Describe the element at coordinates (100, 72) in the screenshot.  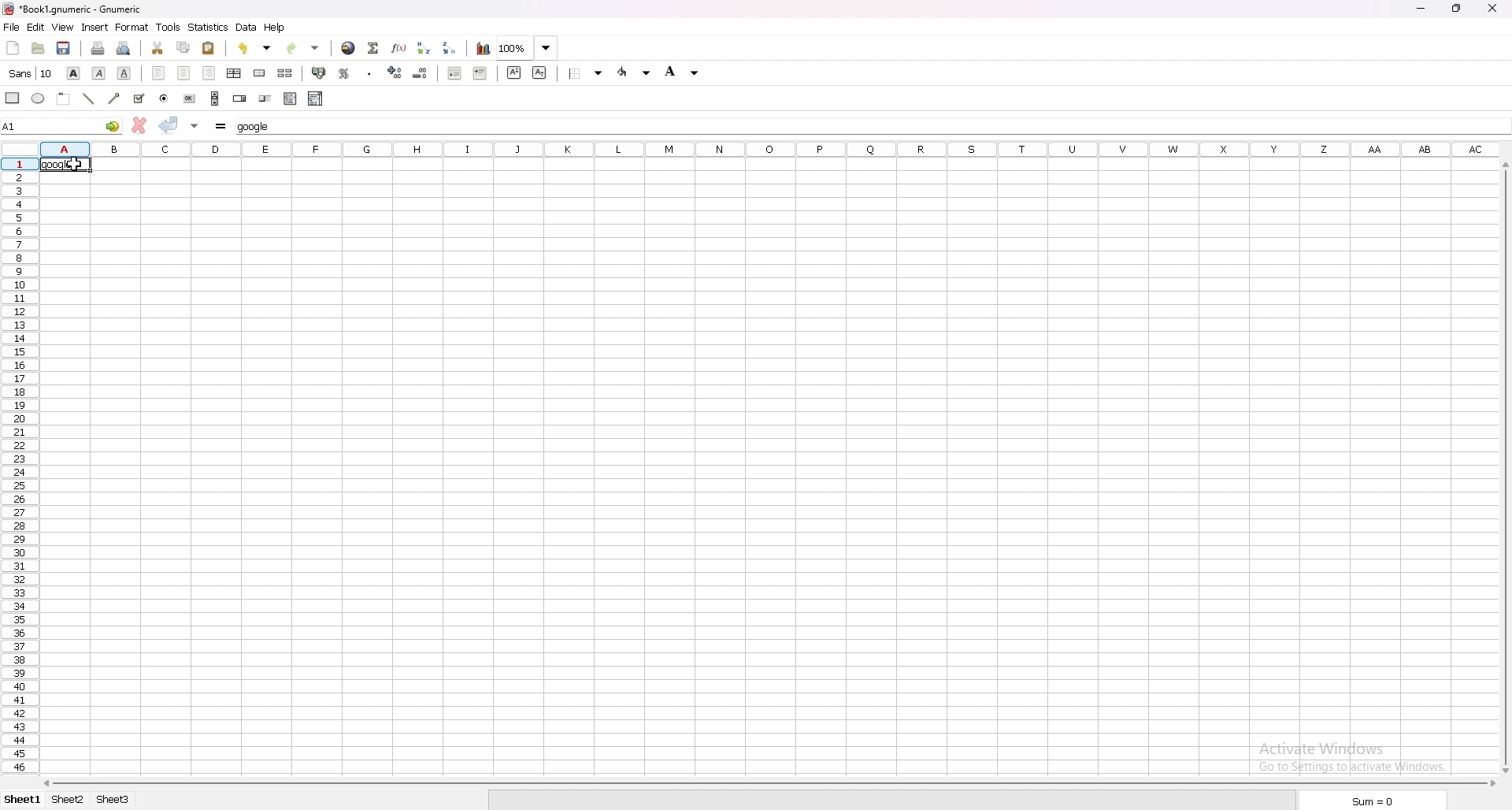
I see `italic` at that location.